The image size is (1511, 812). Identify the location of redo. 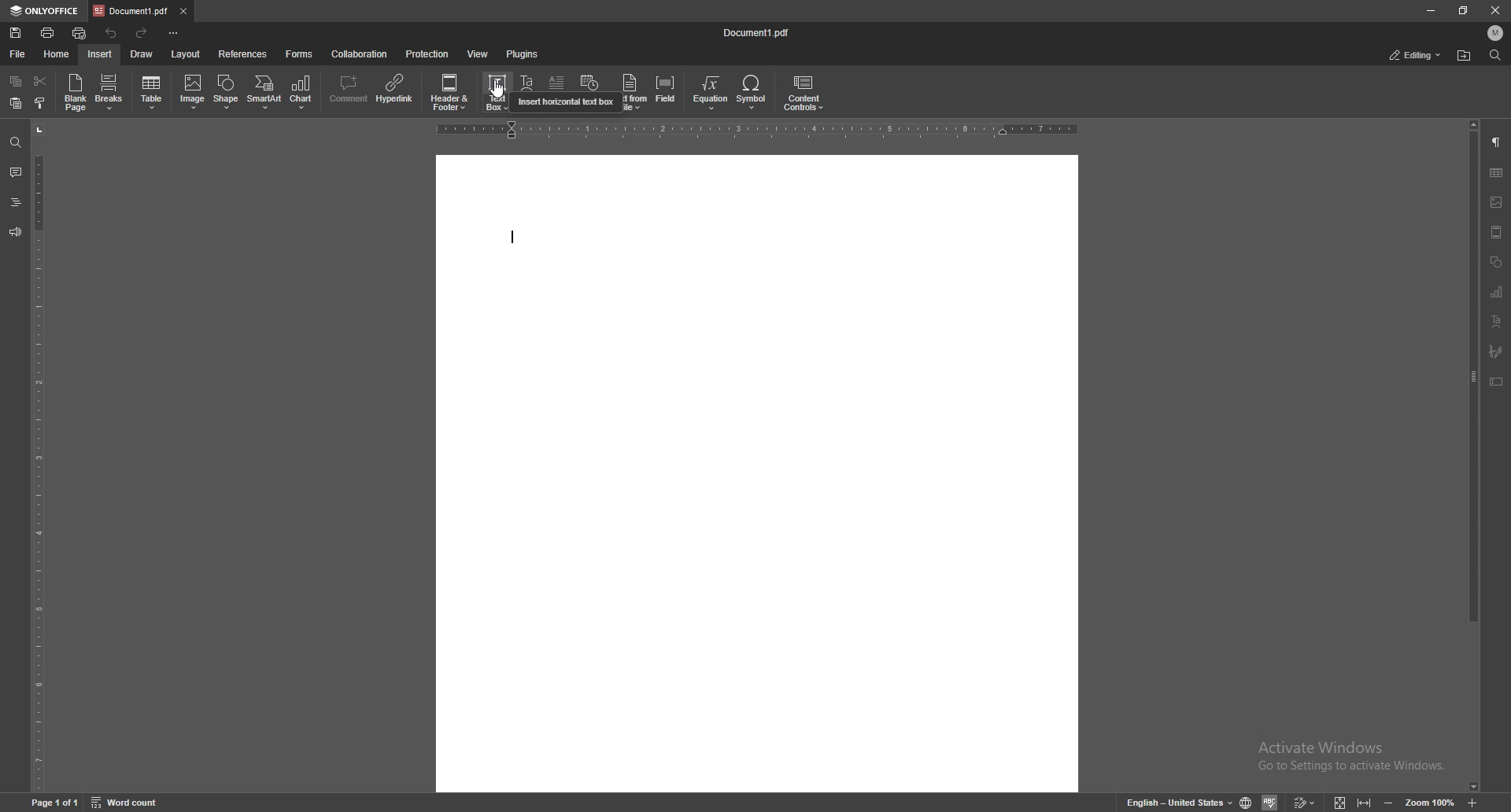
(144, 34).